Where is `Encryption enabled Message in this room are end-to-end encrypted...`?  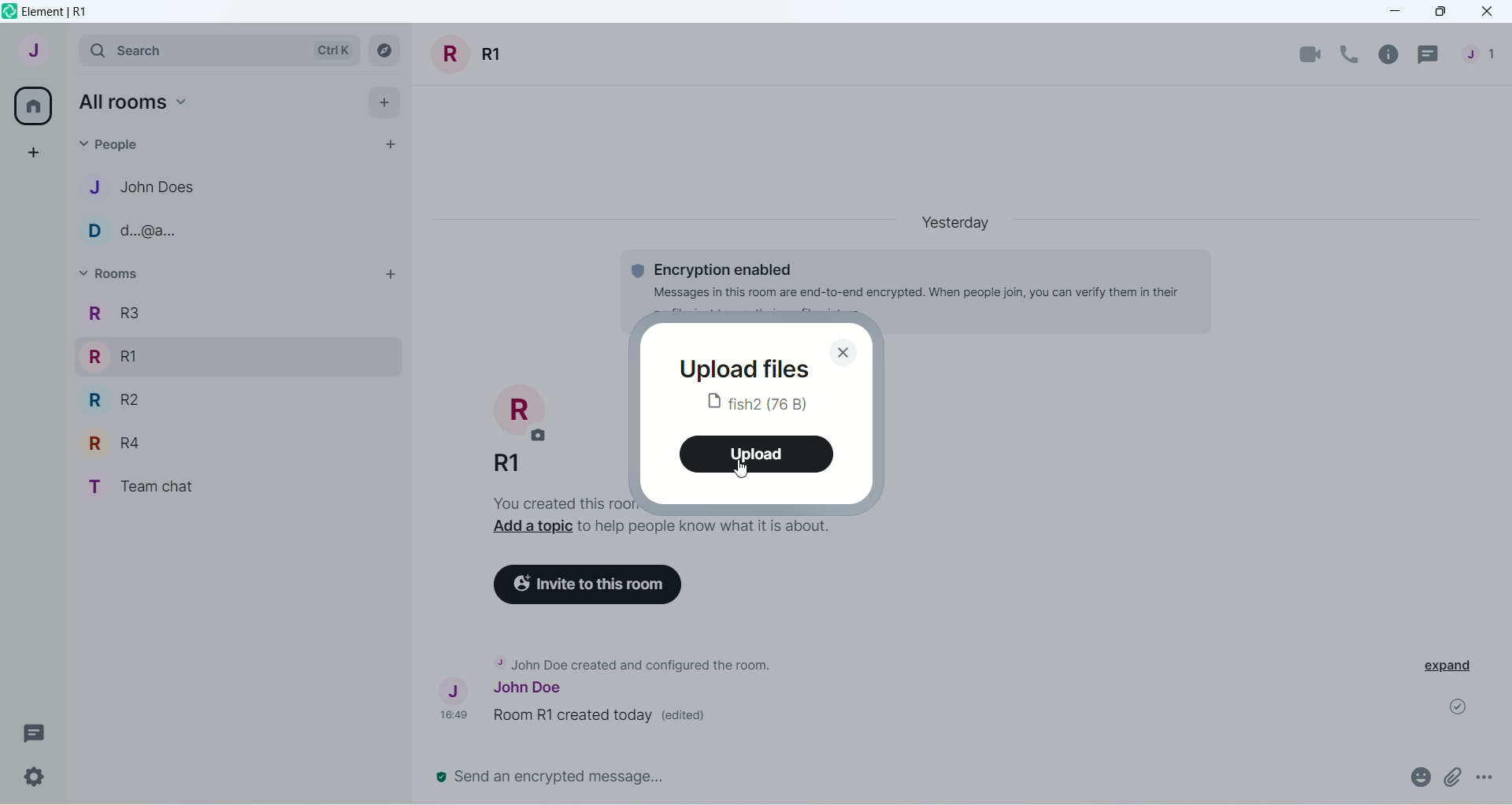
Encryption enabled Message in this room are end-to-end encrypted... is located at coordinates (908, 284).